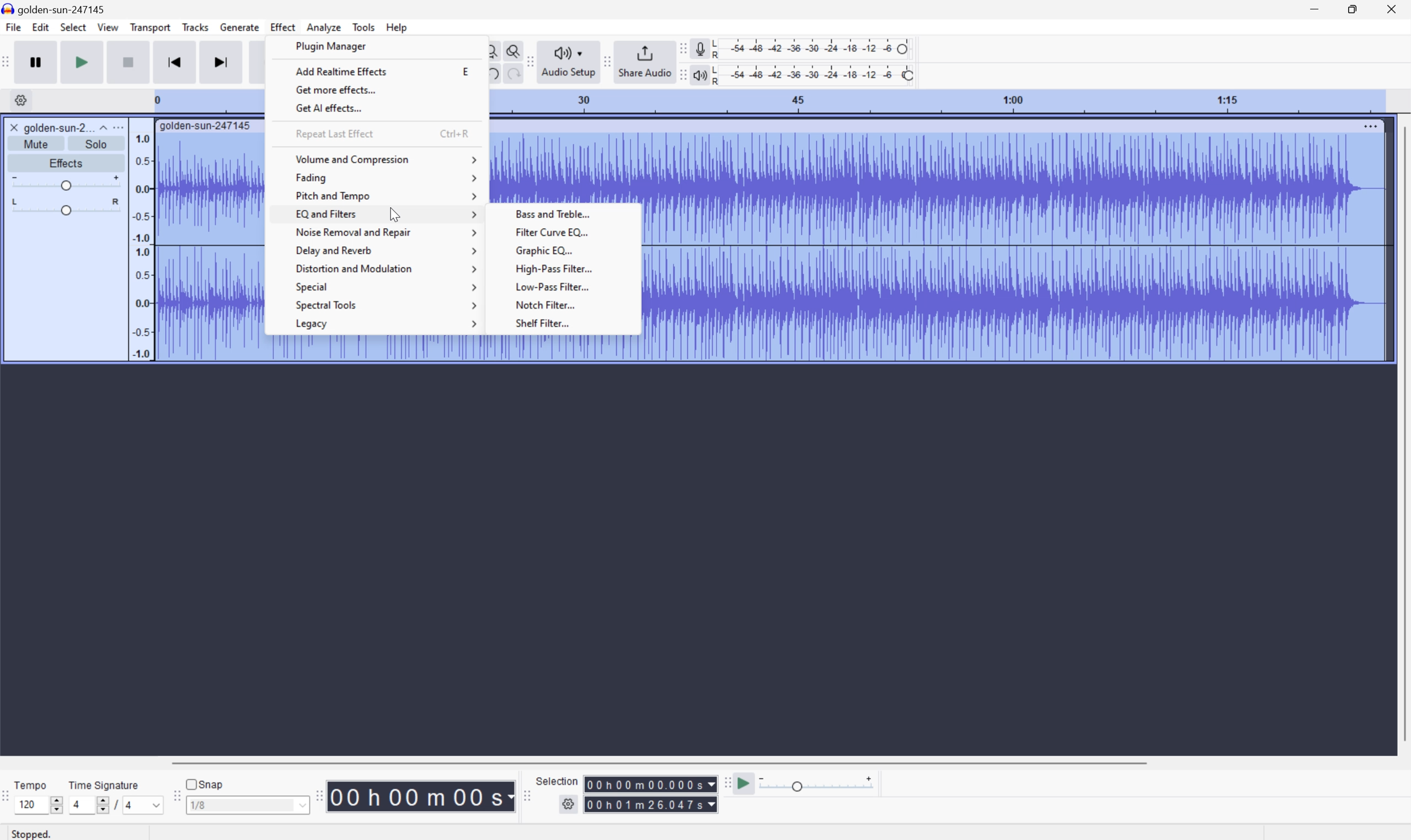  What do you see at coordinates (151, 28) in the screenshot?
I see `Transport` at bounding box center [151, 28].